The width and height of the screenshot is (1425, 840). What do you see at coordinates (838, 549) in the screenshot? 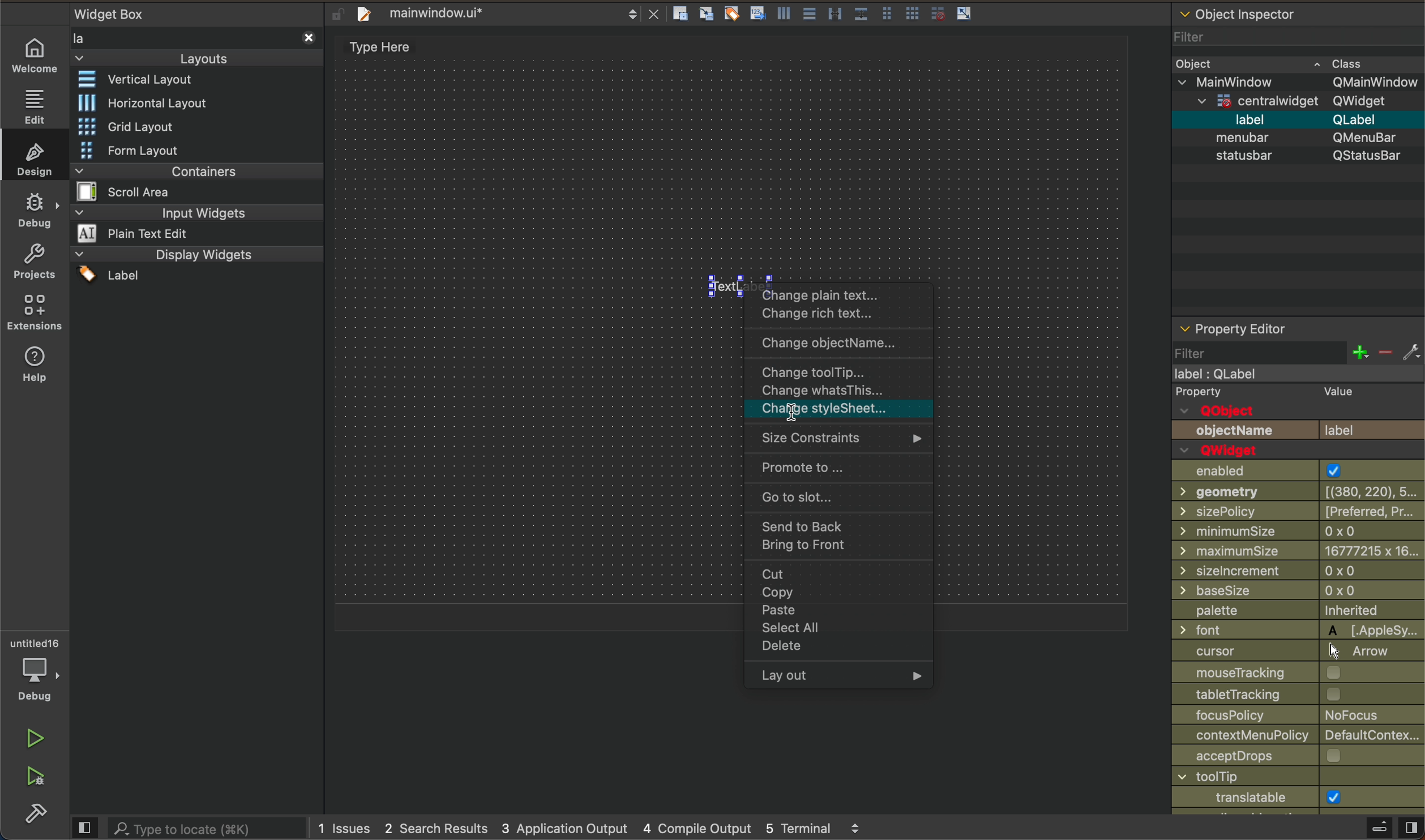
I see `bring to front` at bounding box center [838, 549].